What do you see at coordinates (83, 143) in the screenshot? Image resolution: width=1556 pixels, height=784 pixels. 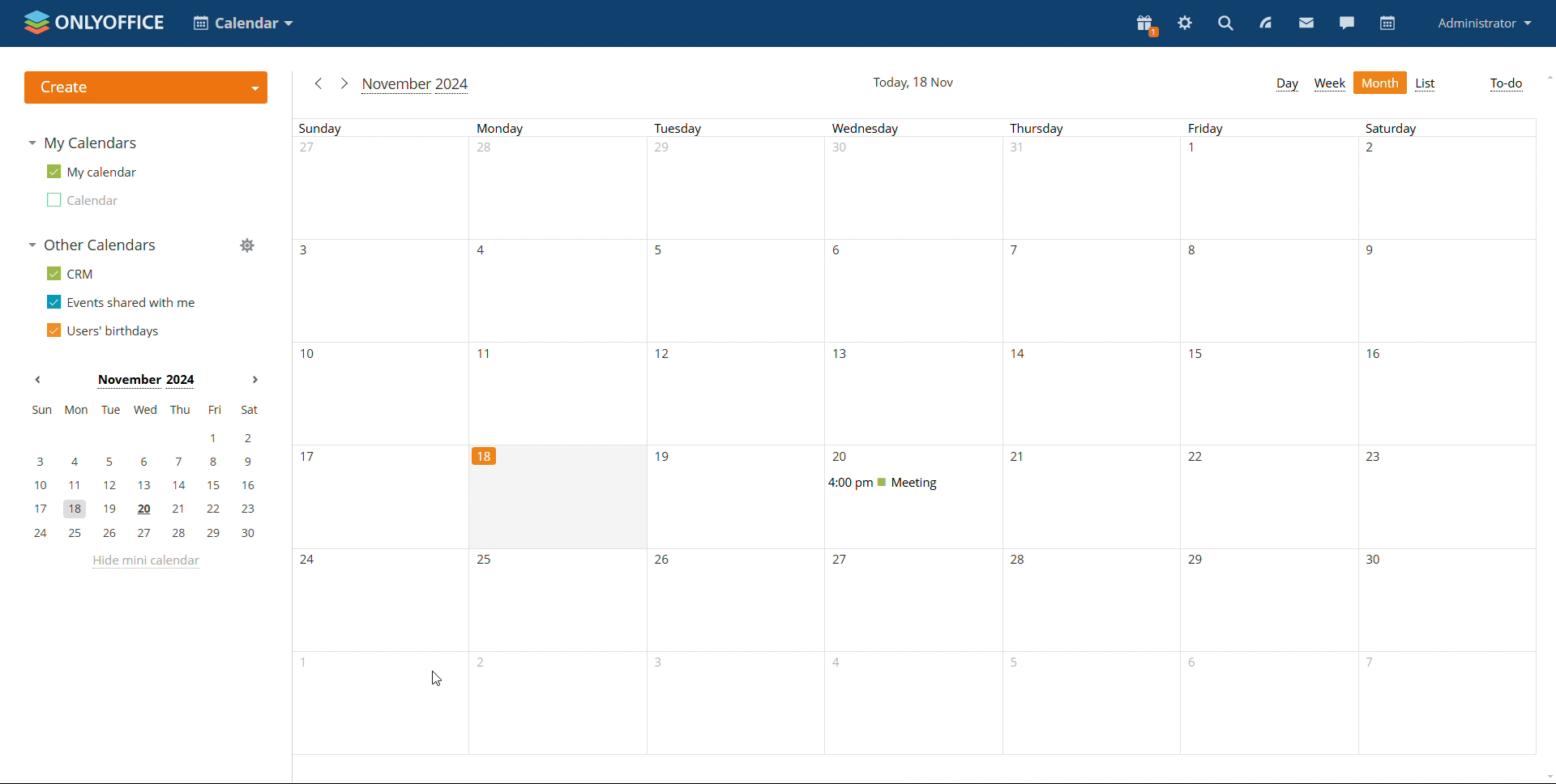 I see `my calendars` at bounding box center [83, 143].